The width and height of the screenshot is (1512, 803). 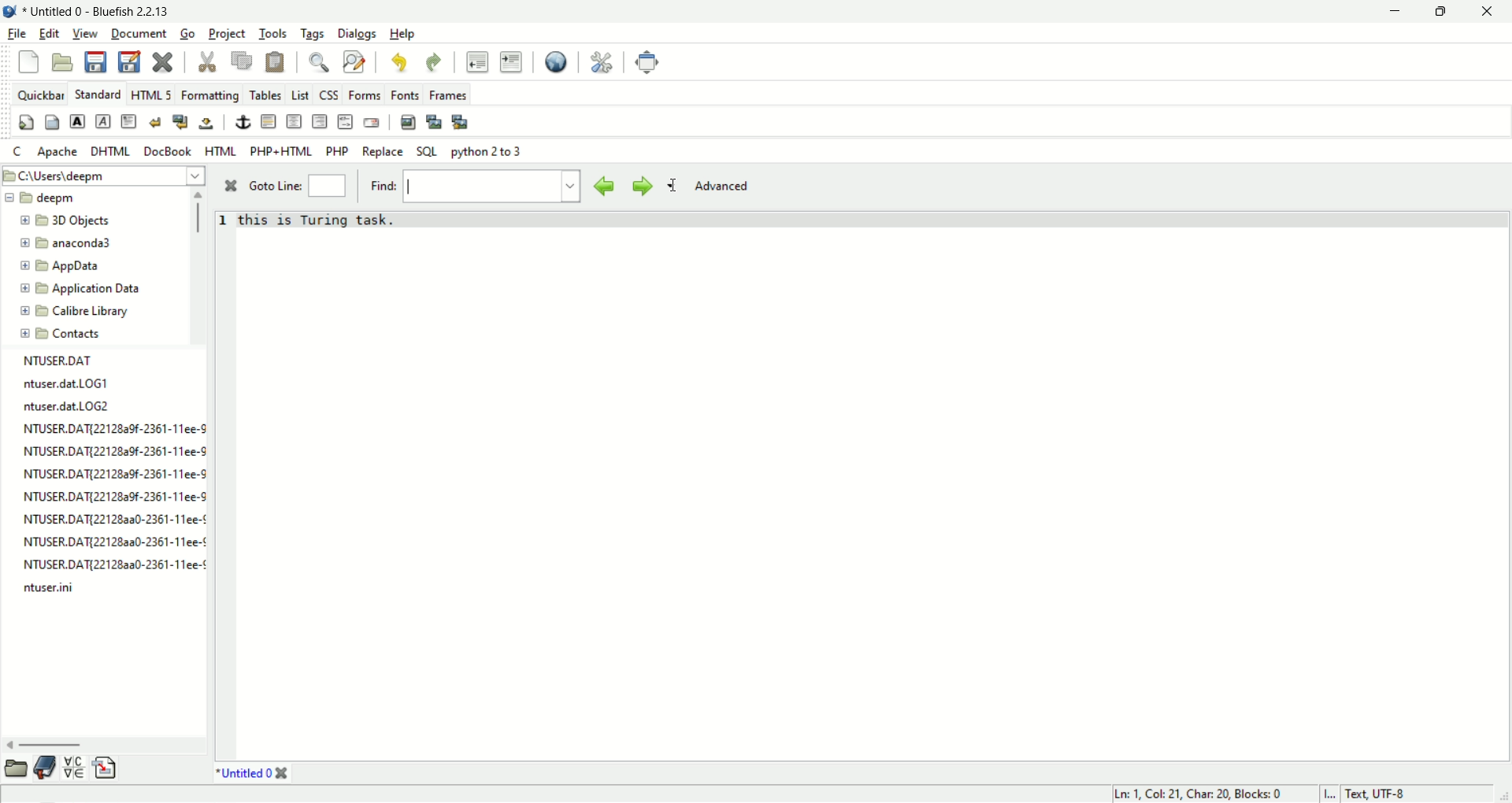 I want to click on 3D Objects, so click(x=72, y=222).